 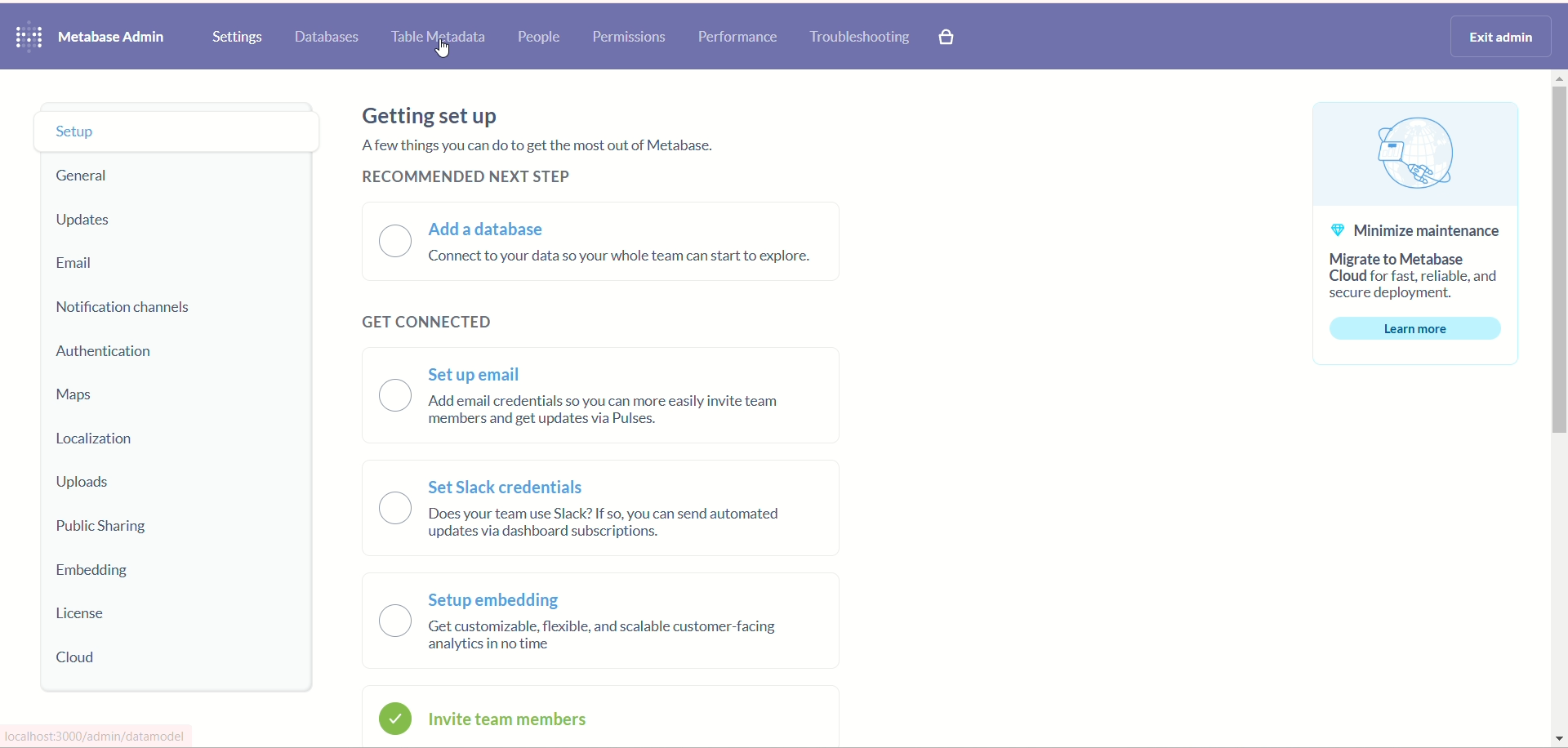 I want to click on text, so click(x=1419, y=257).